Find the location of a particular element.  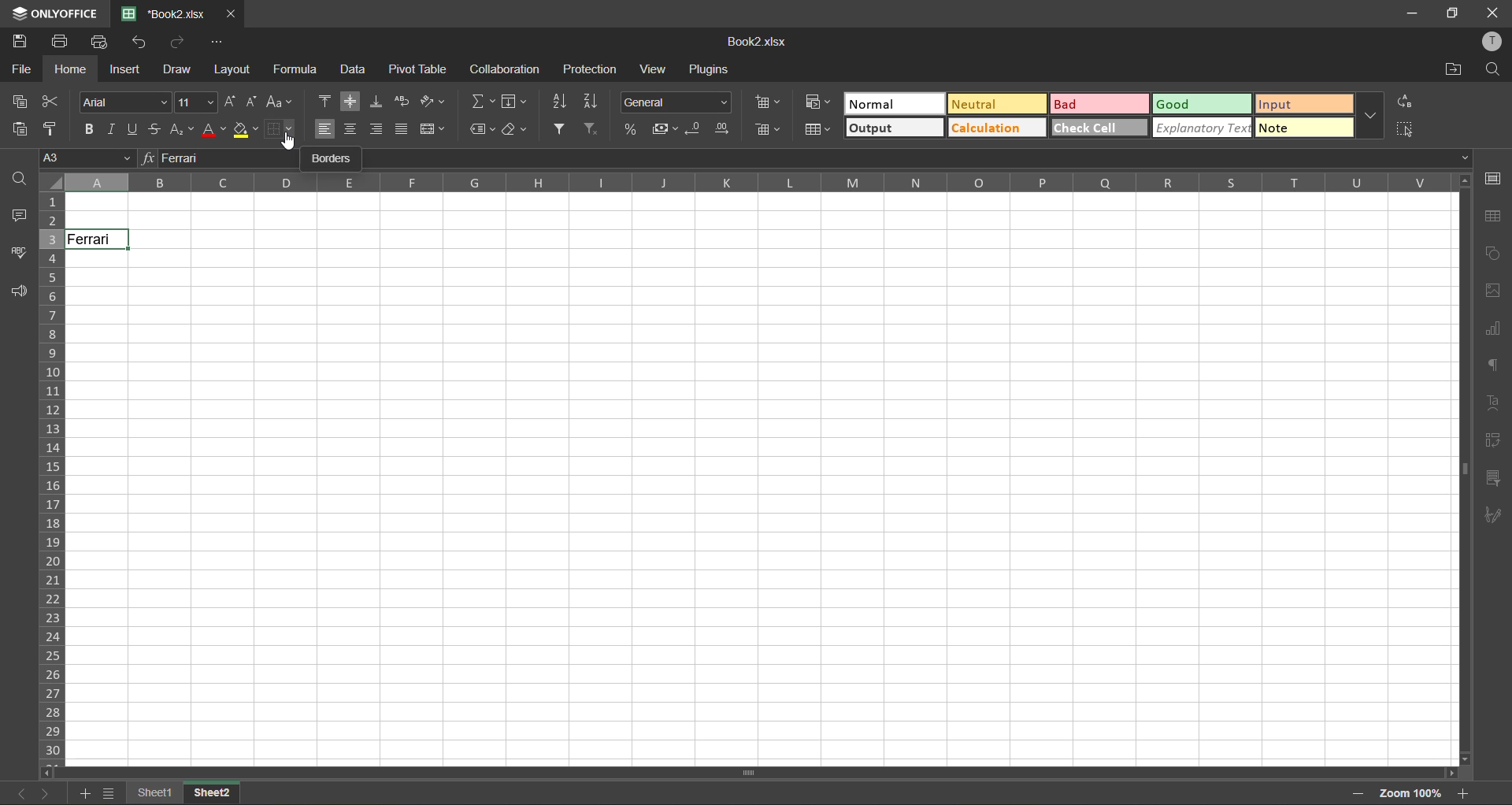

filter is located at coordinates (560, 128).